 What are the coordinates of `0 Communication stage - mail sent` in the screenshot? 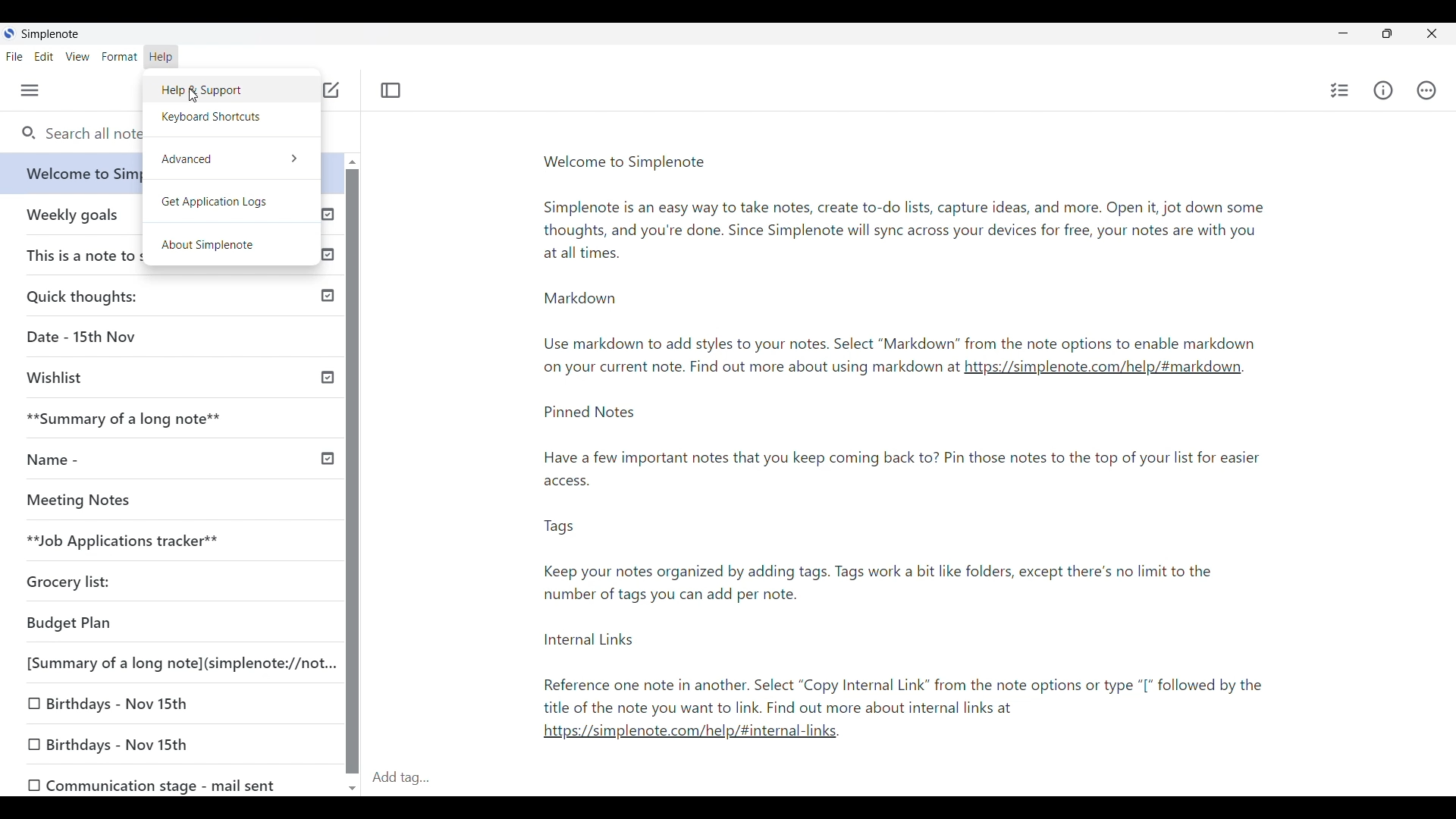 It's located at (168, 784).